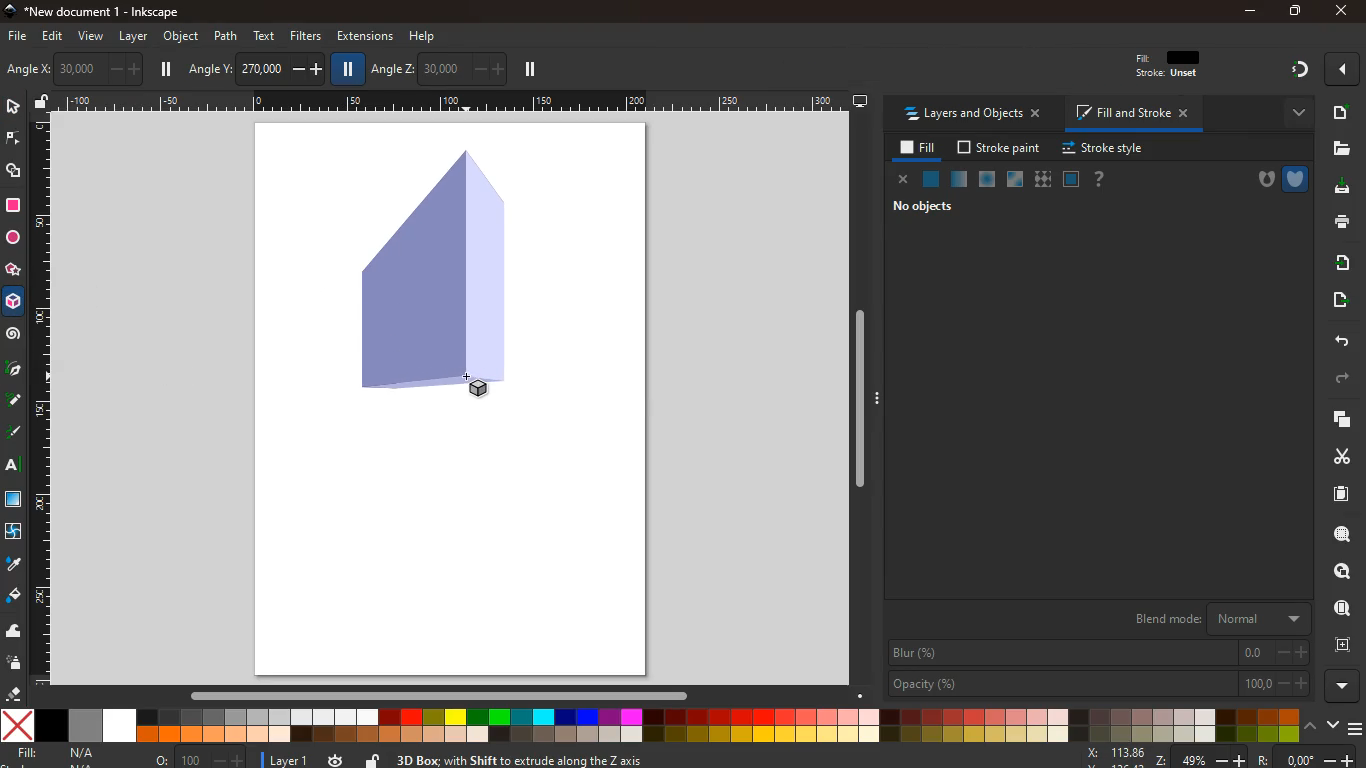 The height and width of the screenshot is (768, 1366). I want to click on up, so click(1311, 727).